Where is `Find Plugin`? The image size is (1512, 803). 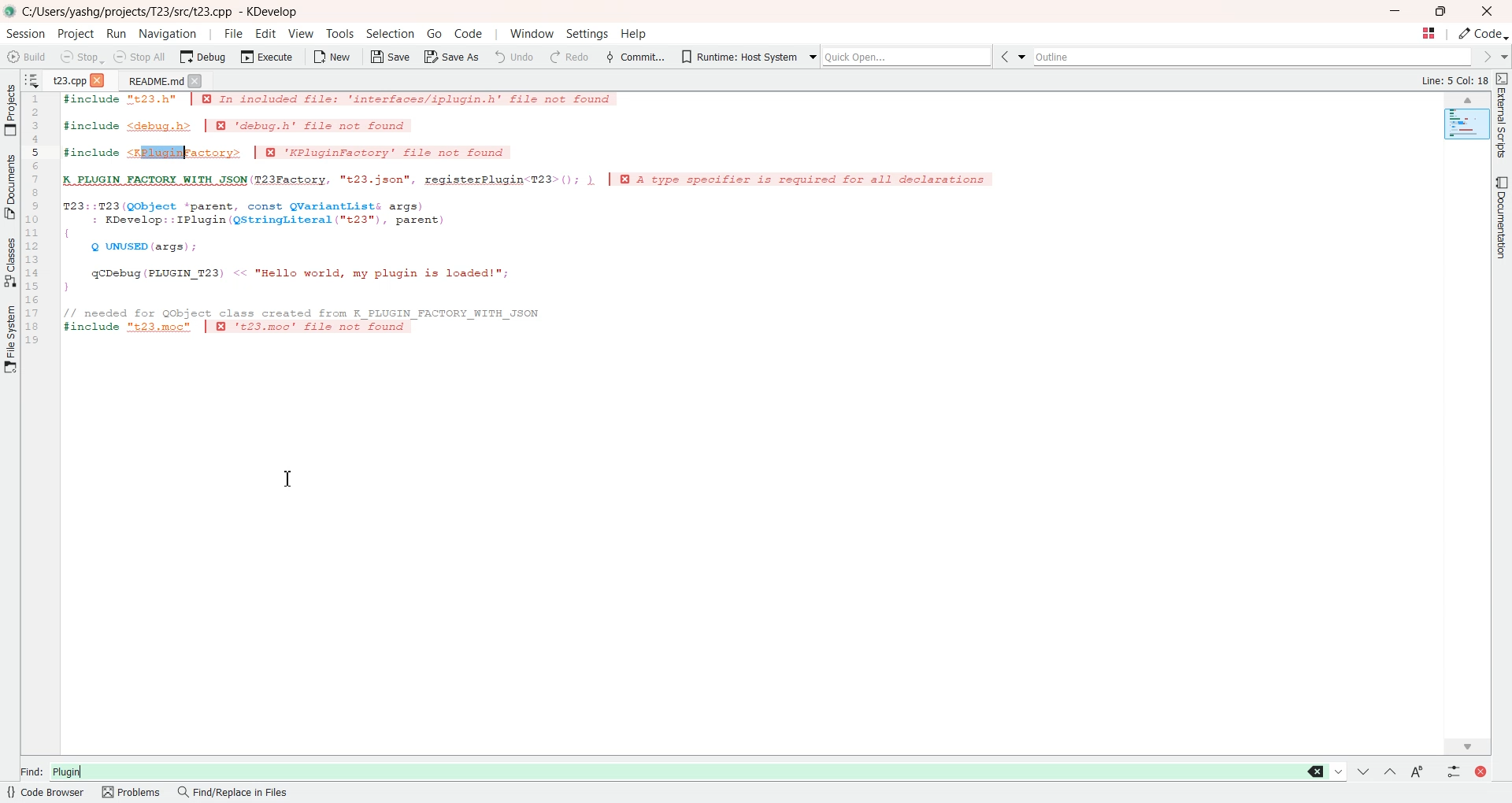
Find Plugin is located at coordinates (658, 768).